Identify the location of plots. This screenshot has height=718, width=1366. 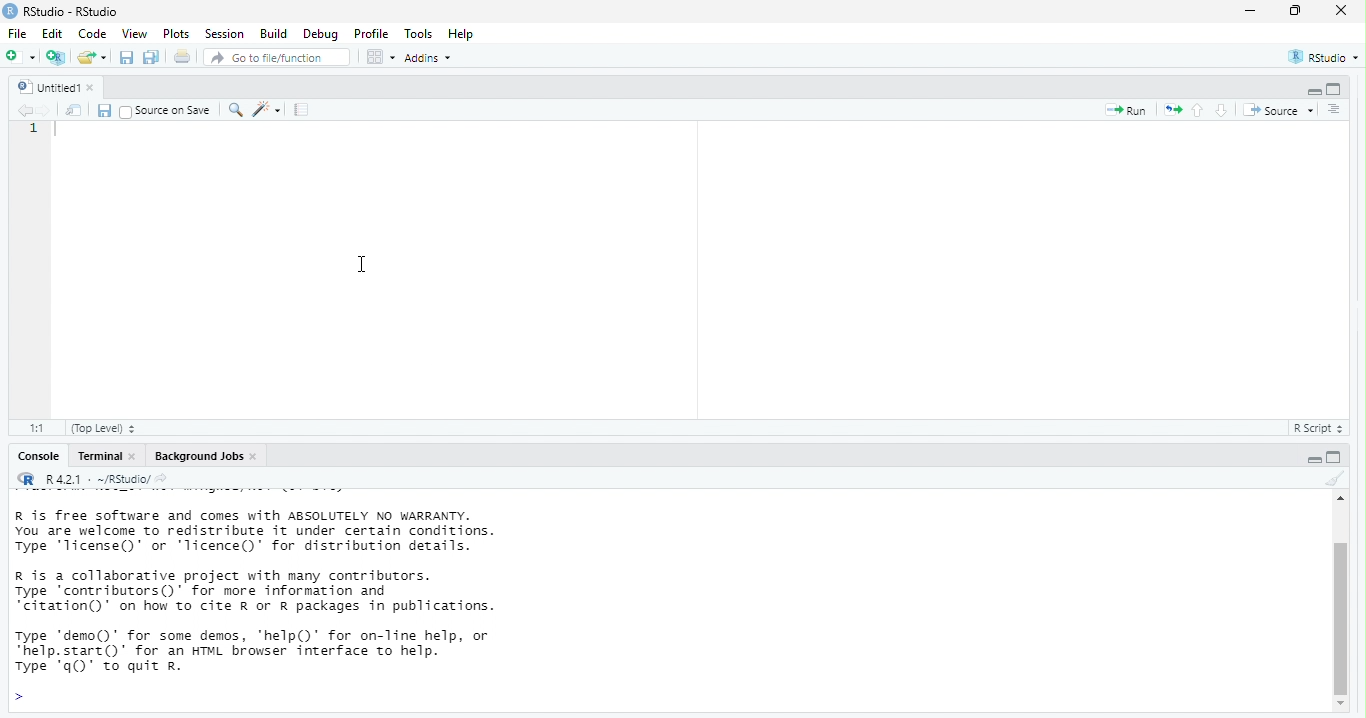
(177, 33).